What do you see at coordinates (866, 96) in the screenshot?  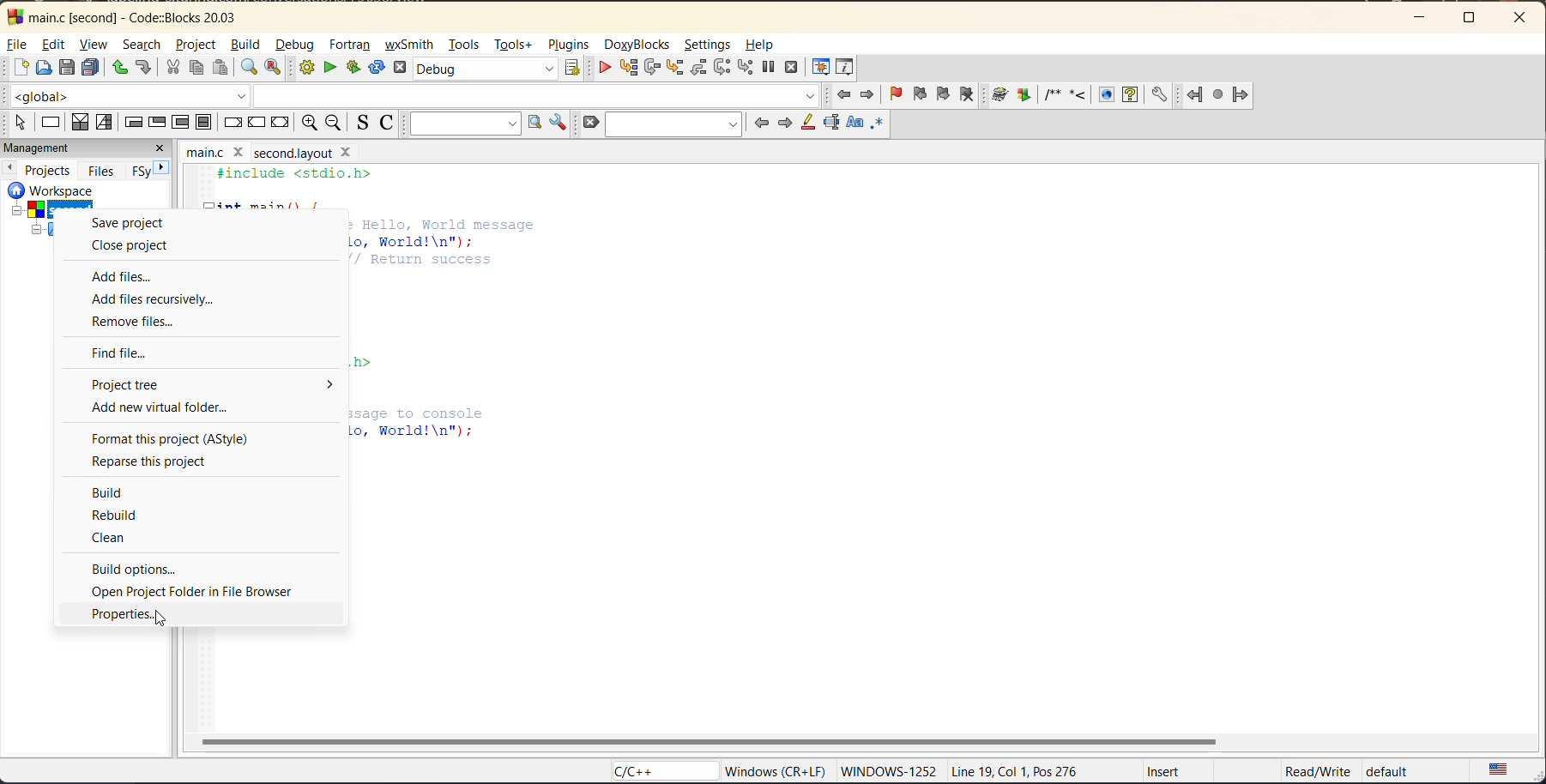 I see `jump forward` at bounding box center [866, 96].